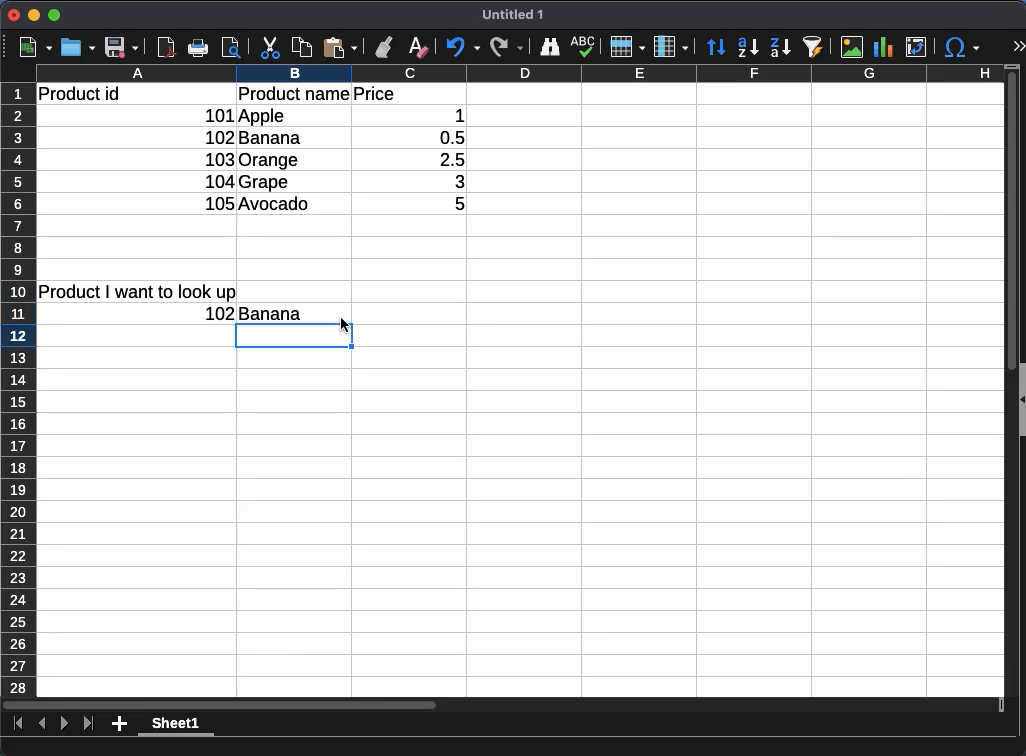 This screenshot has width=1026, height=756. What do you see at coordinates (270, 47) in the screenshot?
I see `cut` at bounding box center [270, 47].